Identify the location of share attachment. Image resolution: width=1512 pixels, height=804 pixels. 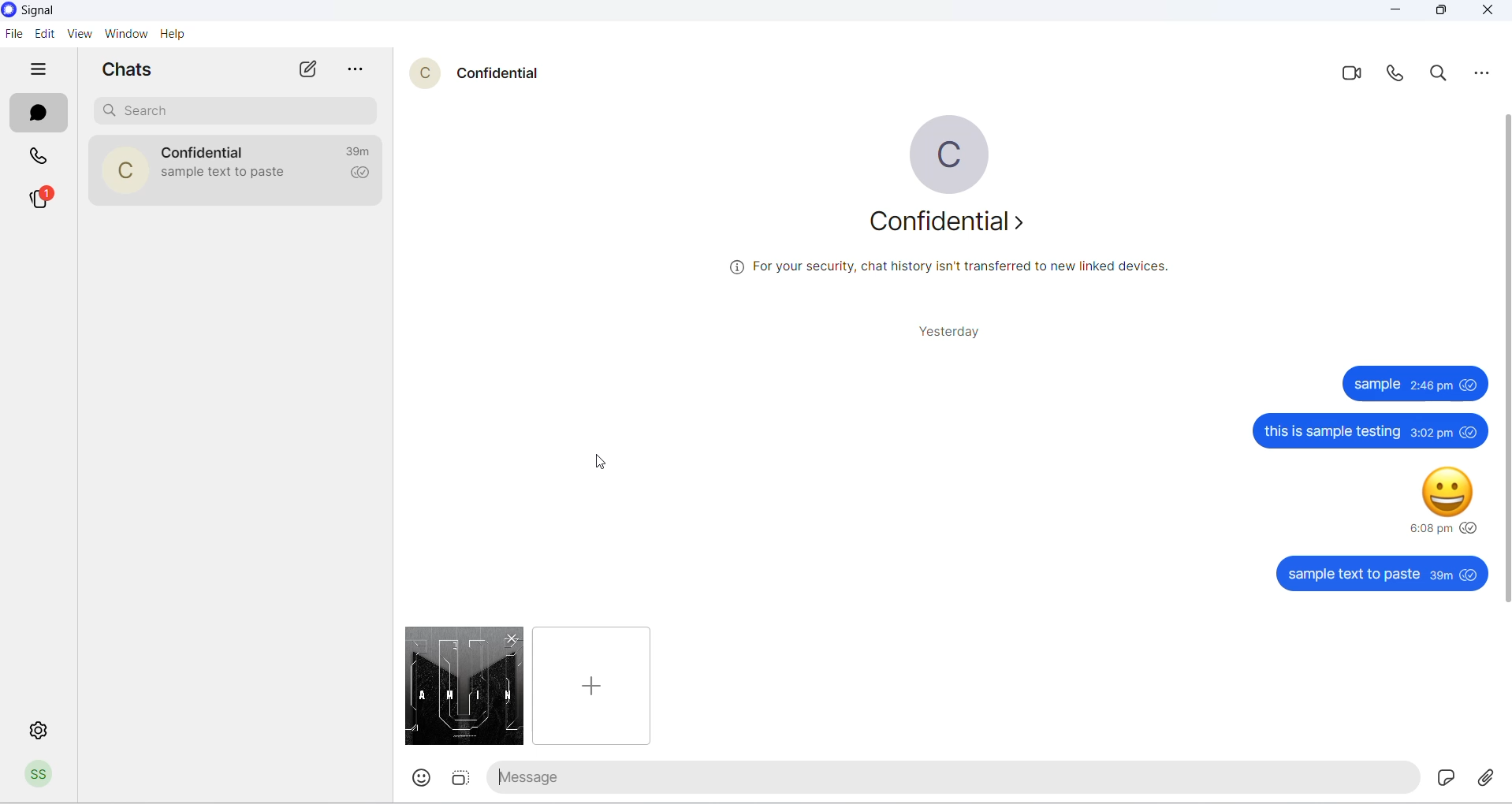
(1487, 778).